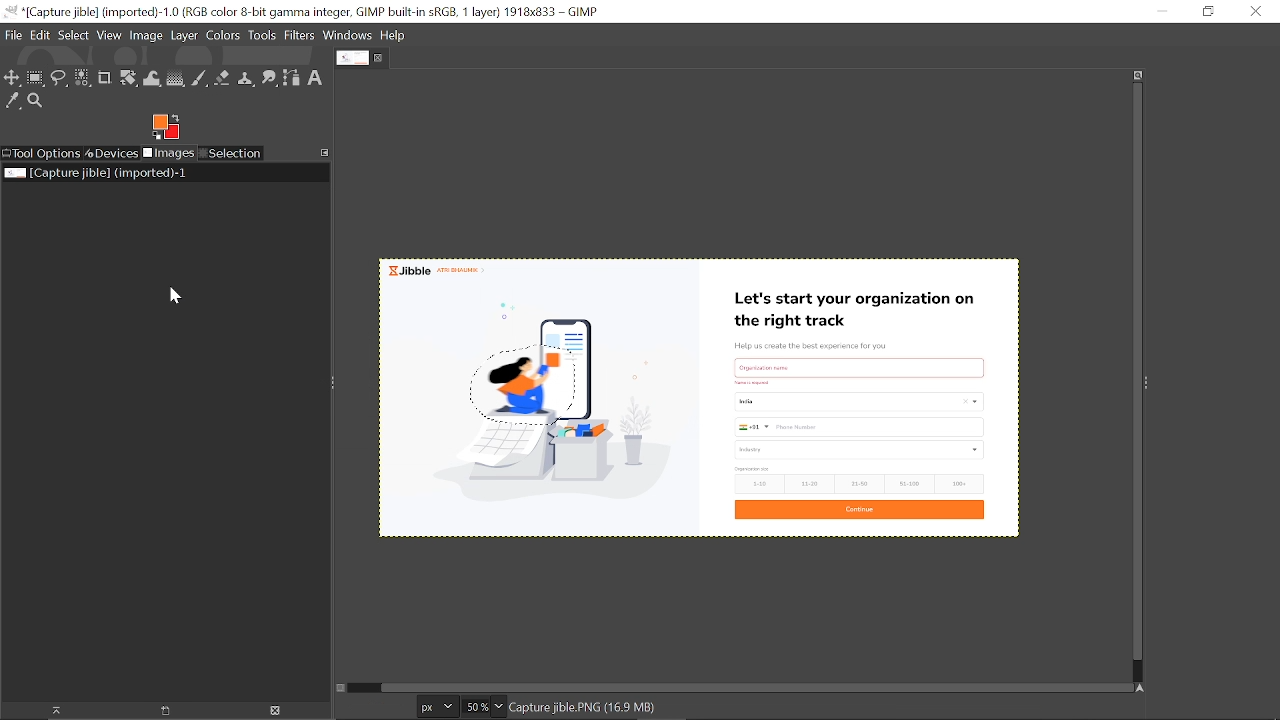  I want to click on Help, so click(394, 36).